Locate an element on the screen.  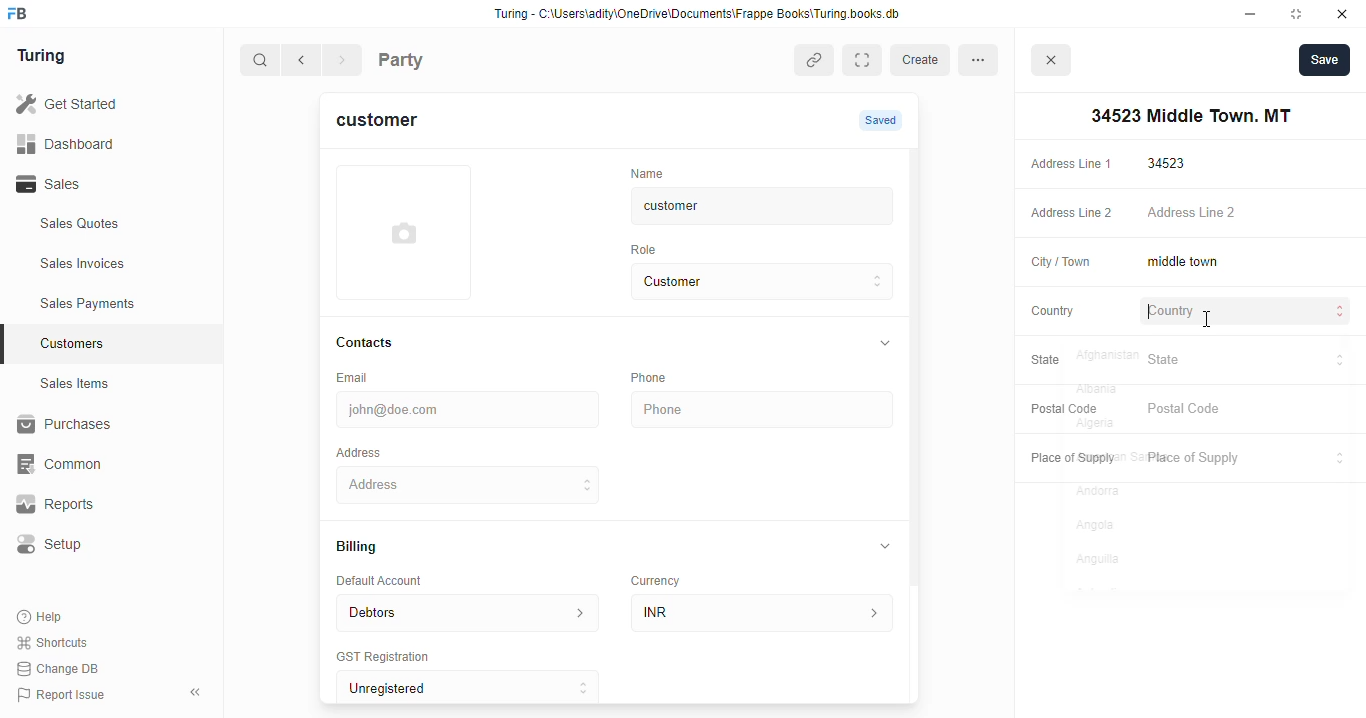
Phone is located at coordinates (660, 377).